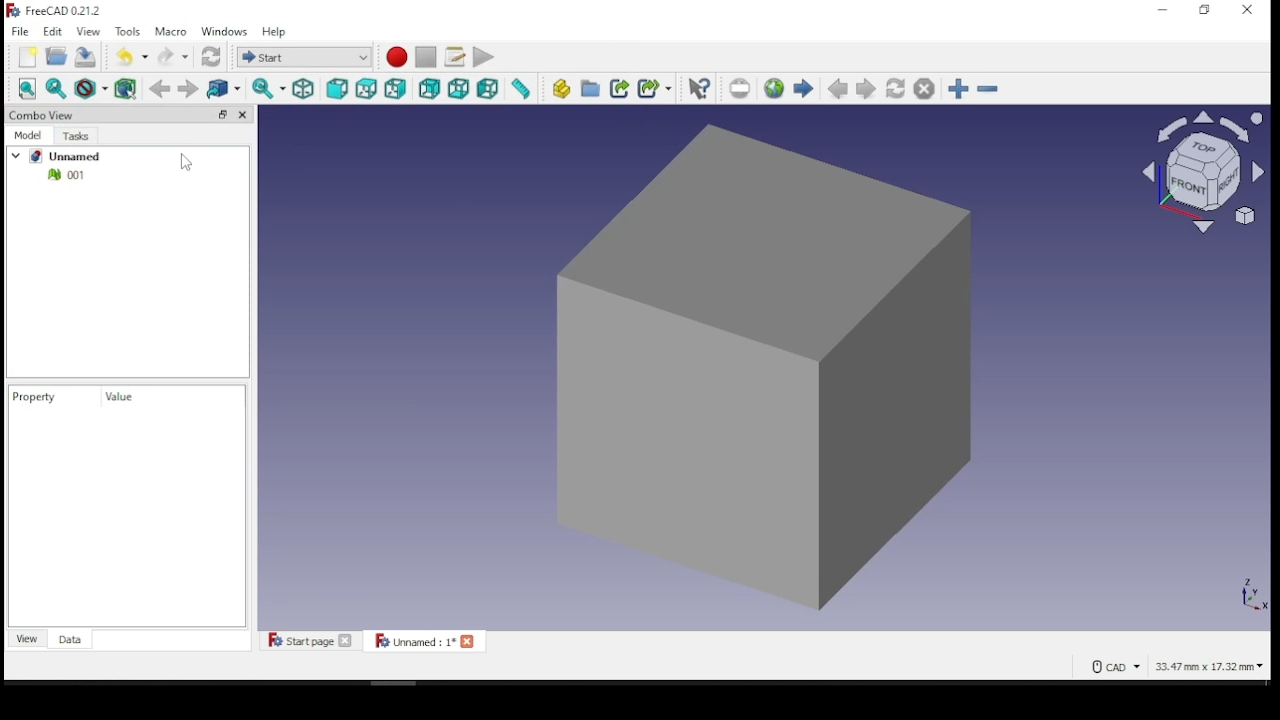  I want to click on tools, so click(126, 31).